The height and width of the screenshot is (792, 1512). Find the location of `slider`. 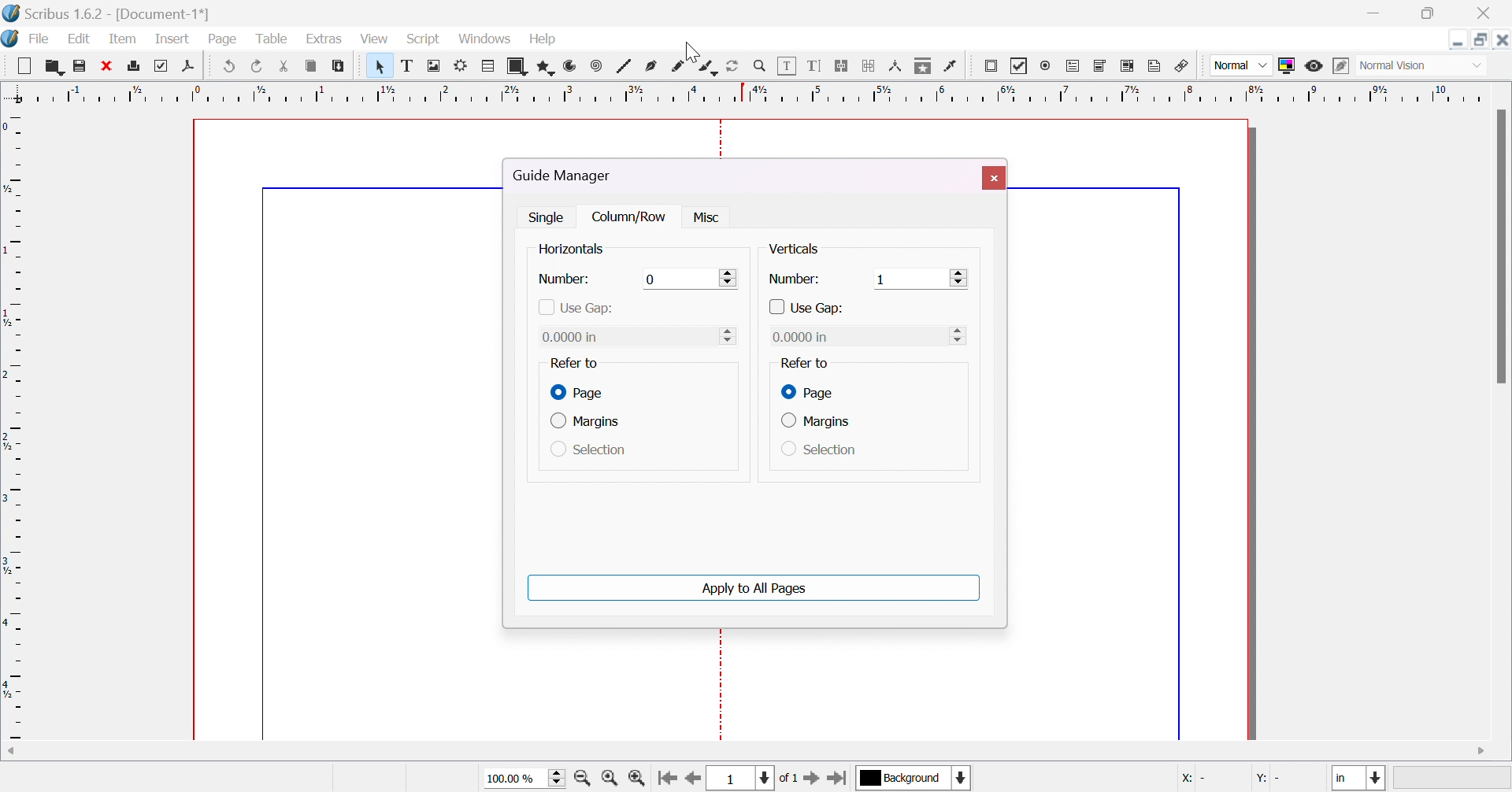

slider is located at coordinates (959, 278).